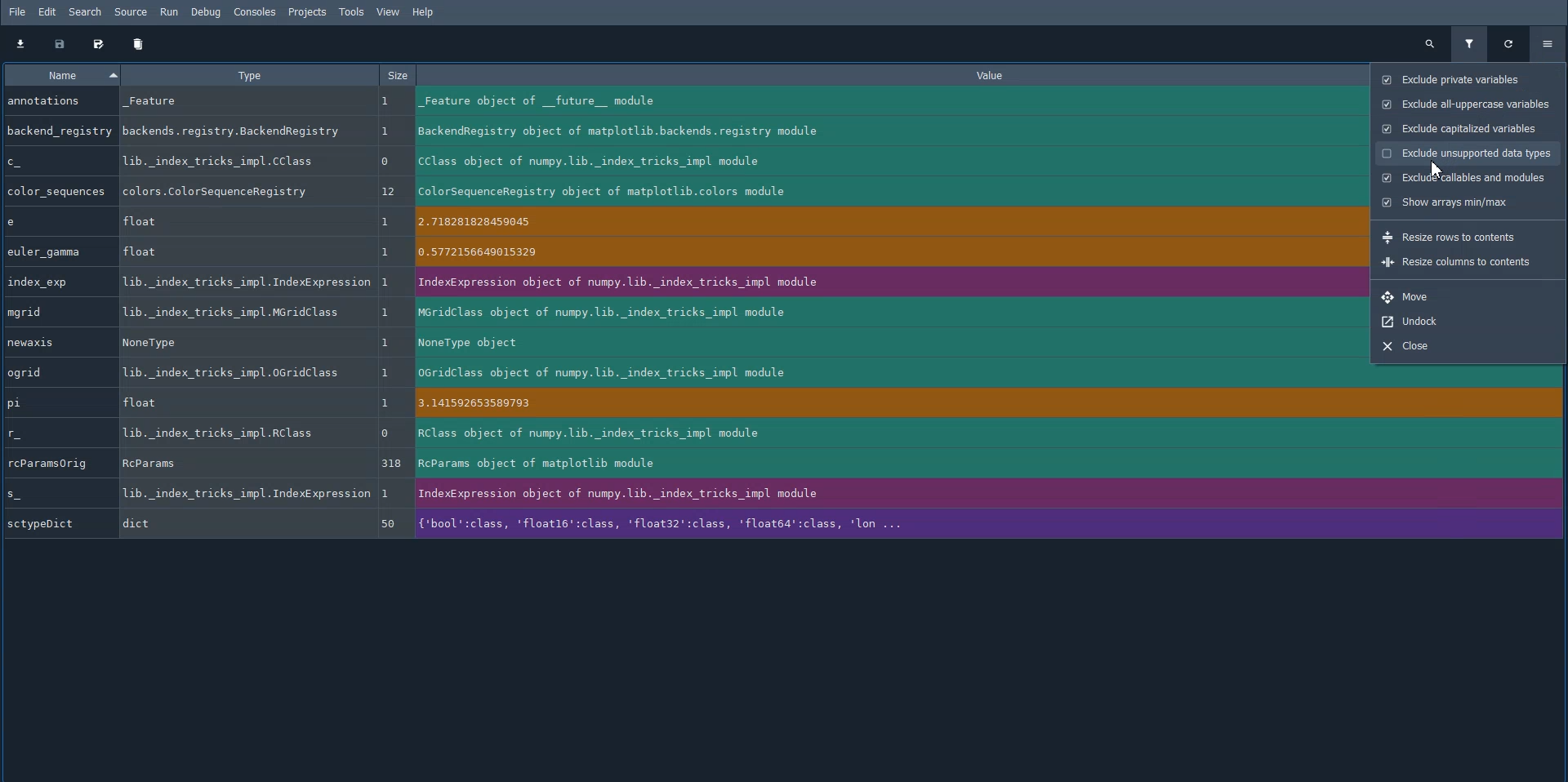  I want to click on Copy data, so click(59, 44).